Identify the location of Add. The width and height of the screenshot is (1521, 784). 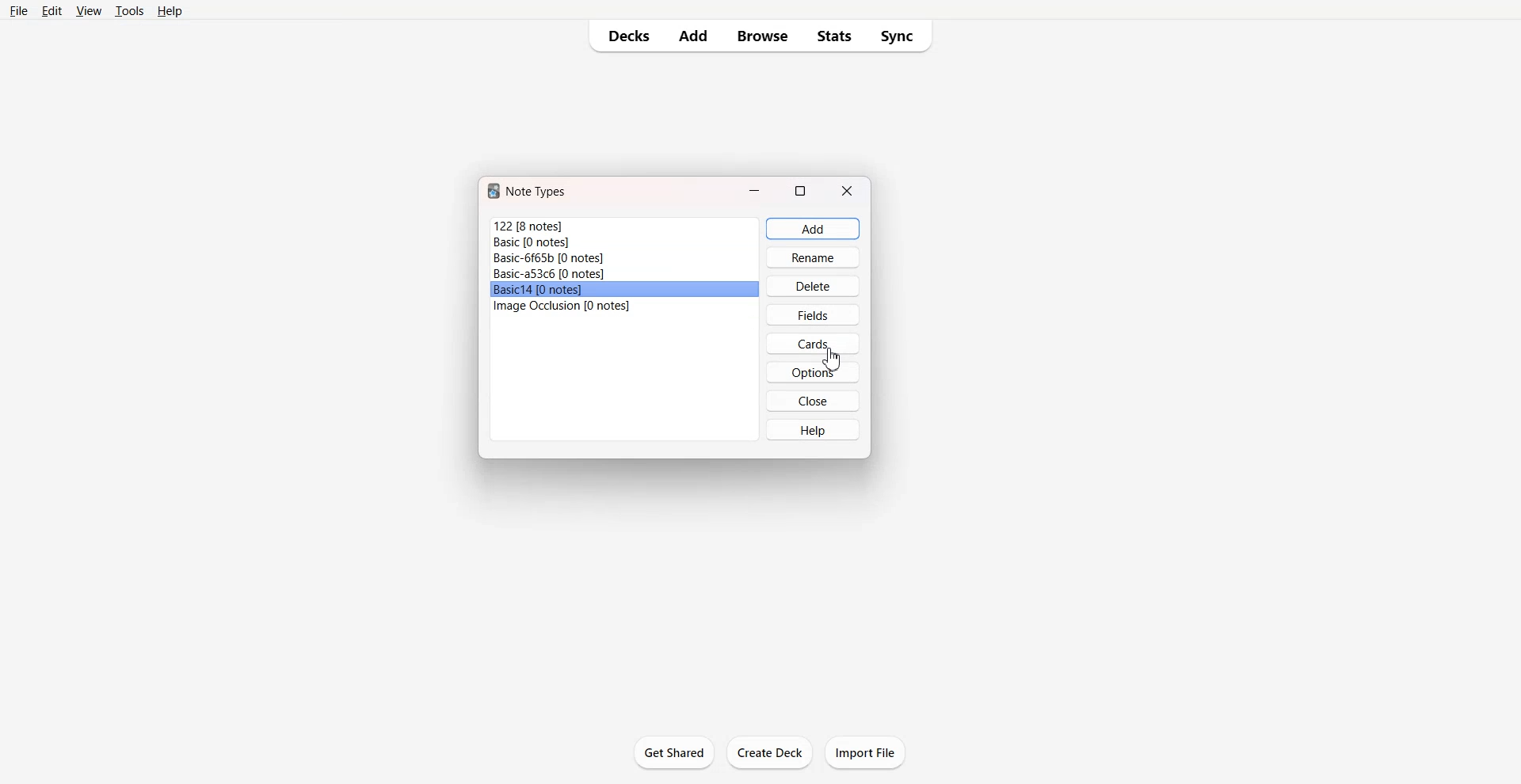
(695, 36).